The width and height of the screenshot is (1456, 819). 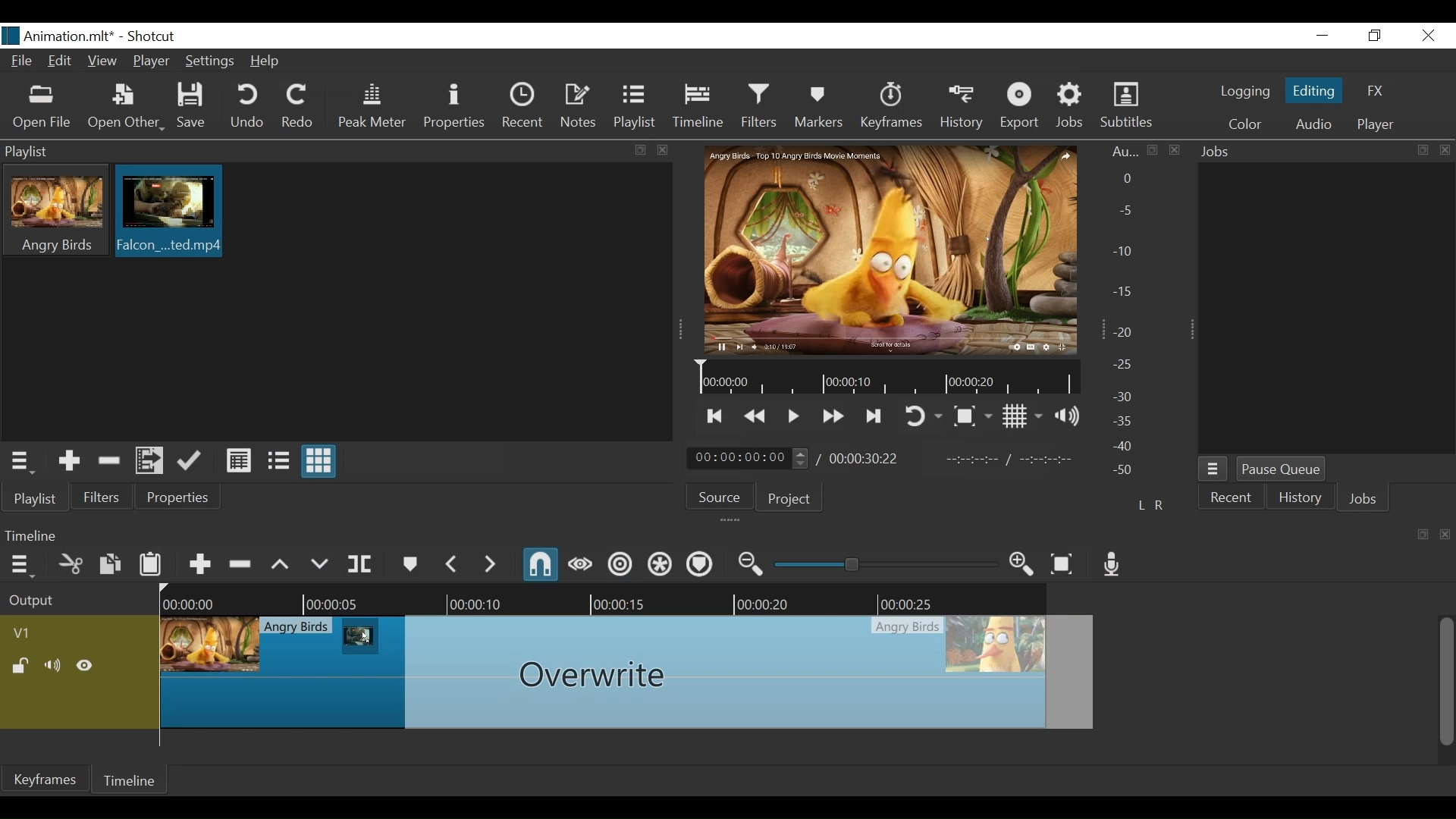 What do you see at coordinates (607, 599) in the screenshot?
I see `Timeline` at bounding box center [607, 599].